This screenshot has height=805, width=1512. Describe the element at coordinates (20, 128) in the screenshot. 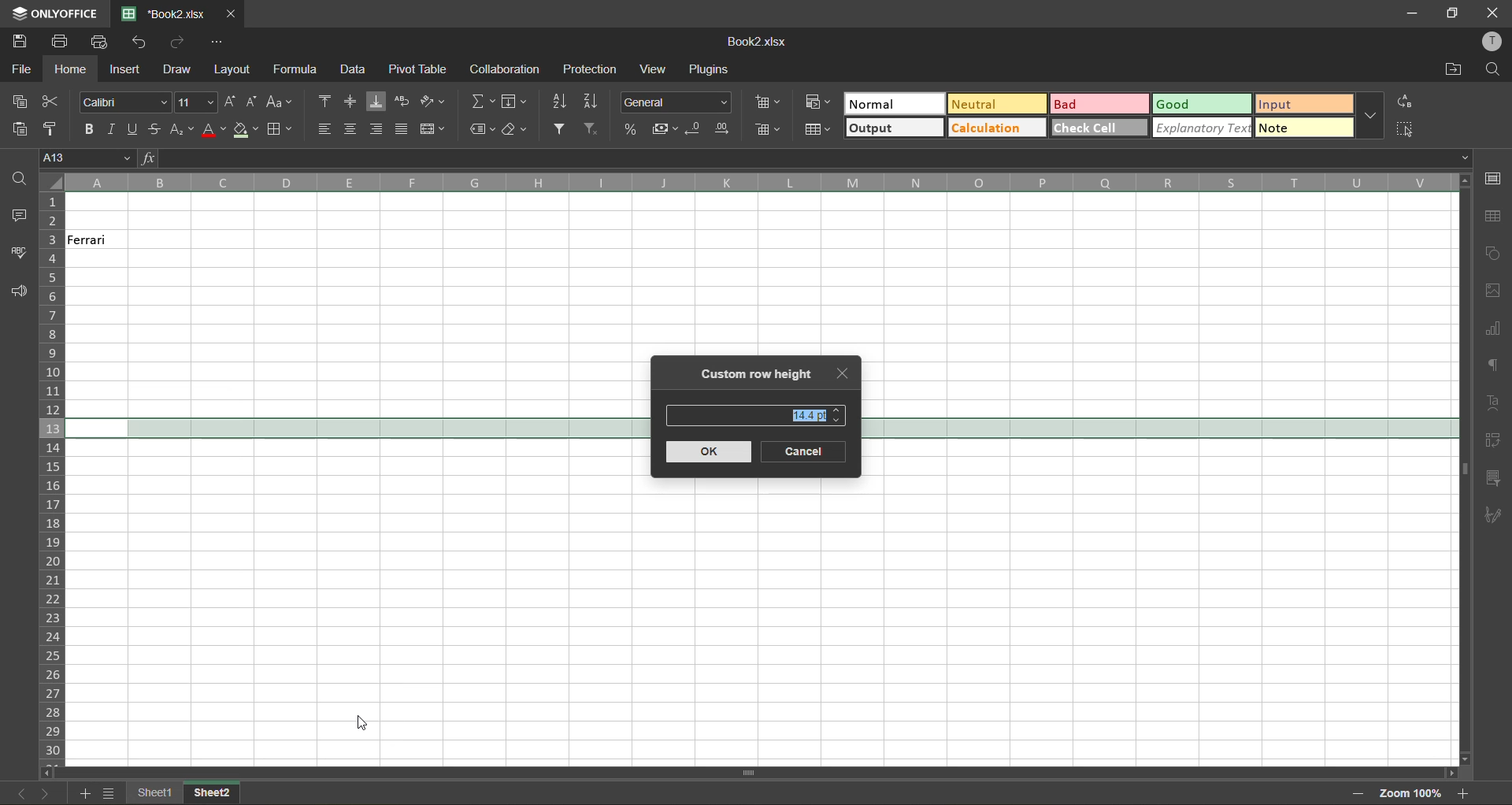

I see `paste` at that location.